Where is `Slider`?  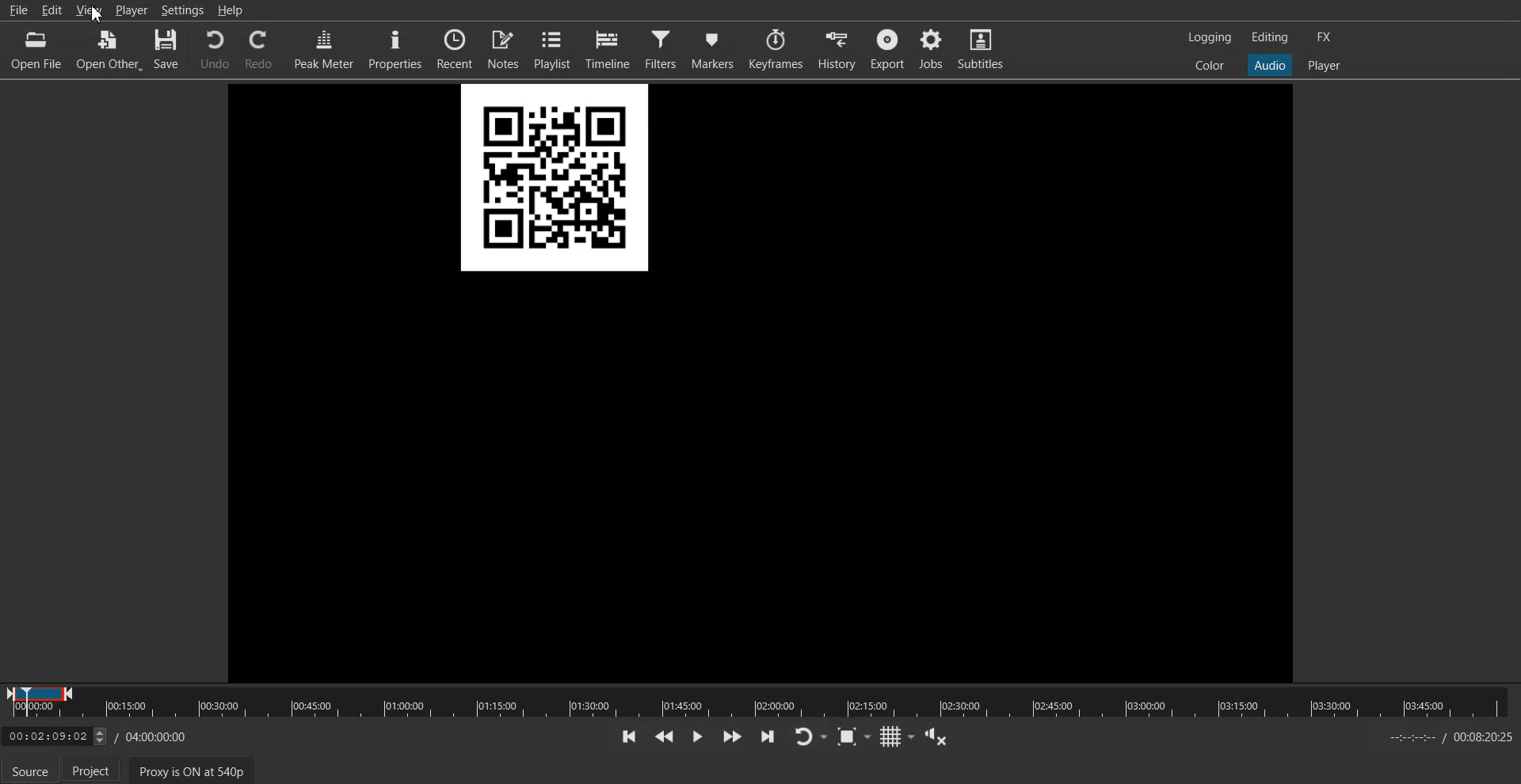
Slider is located at coordinates (760, 701).